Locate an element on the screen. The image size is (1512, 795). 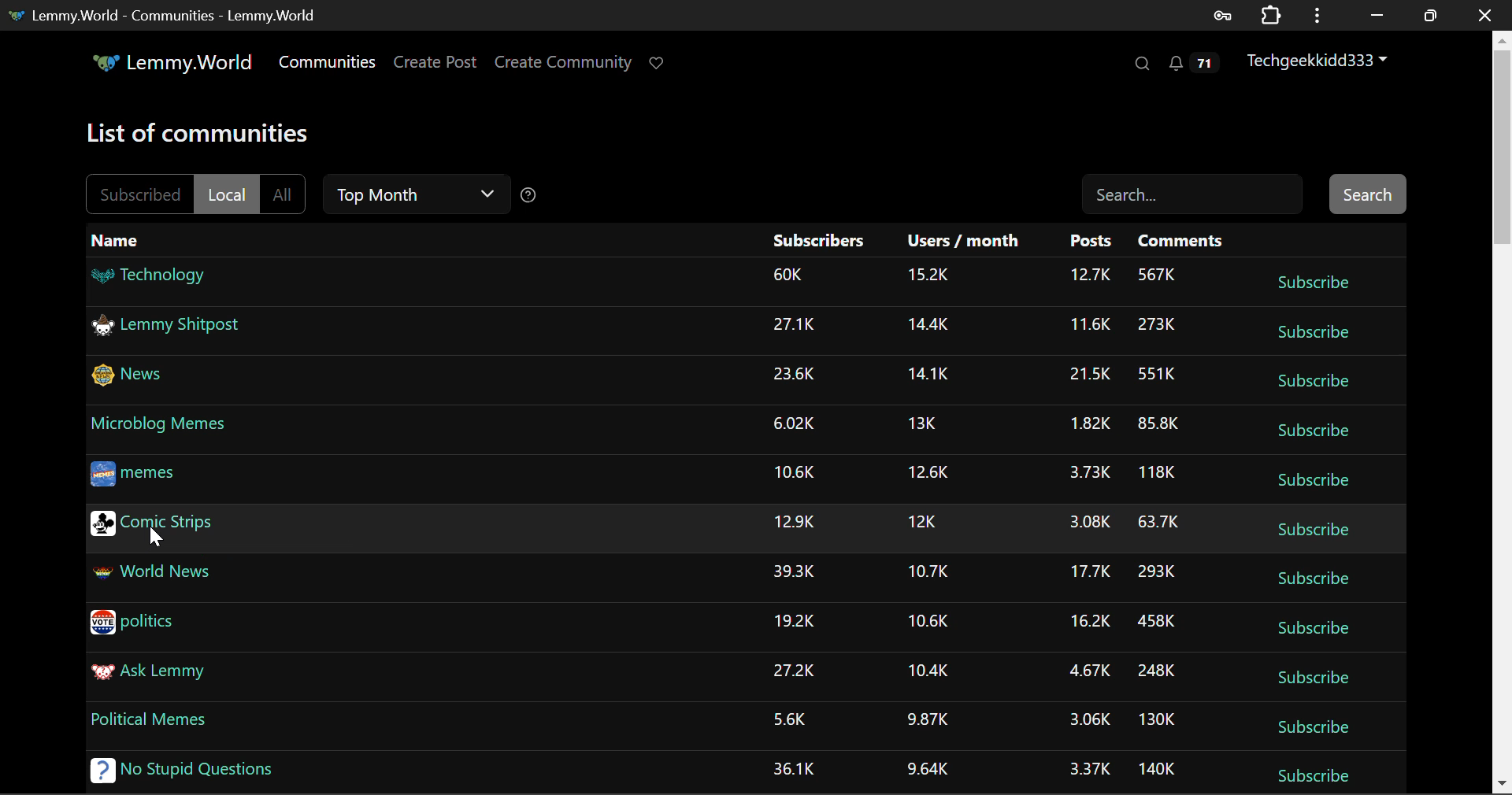
memes is located at coordinates (139, 473).